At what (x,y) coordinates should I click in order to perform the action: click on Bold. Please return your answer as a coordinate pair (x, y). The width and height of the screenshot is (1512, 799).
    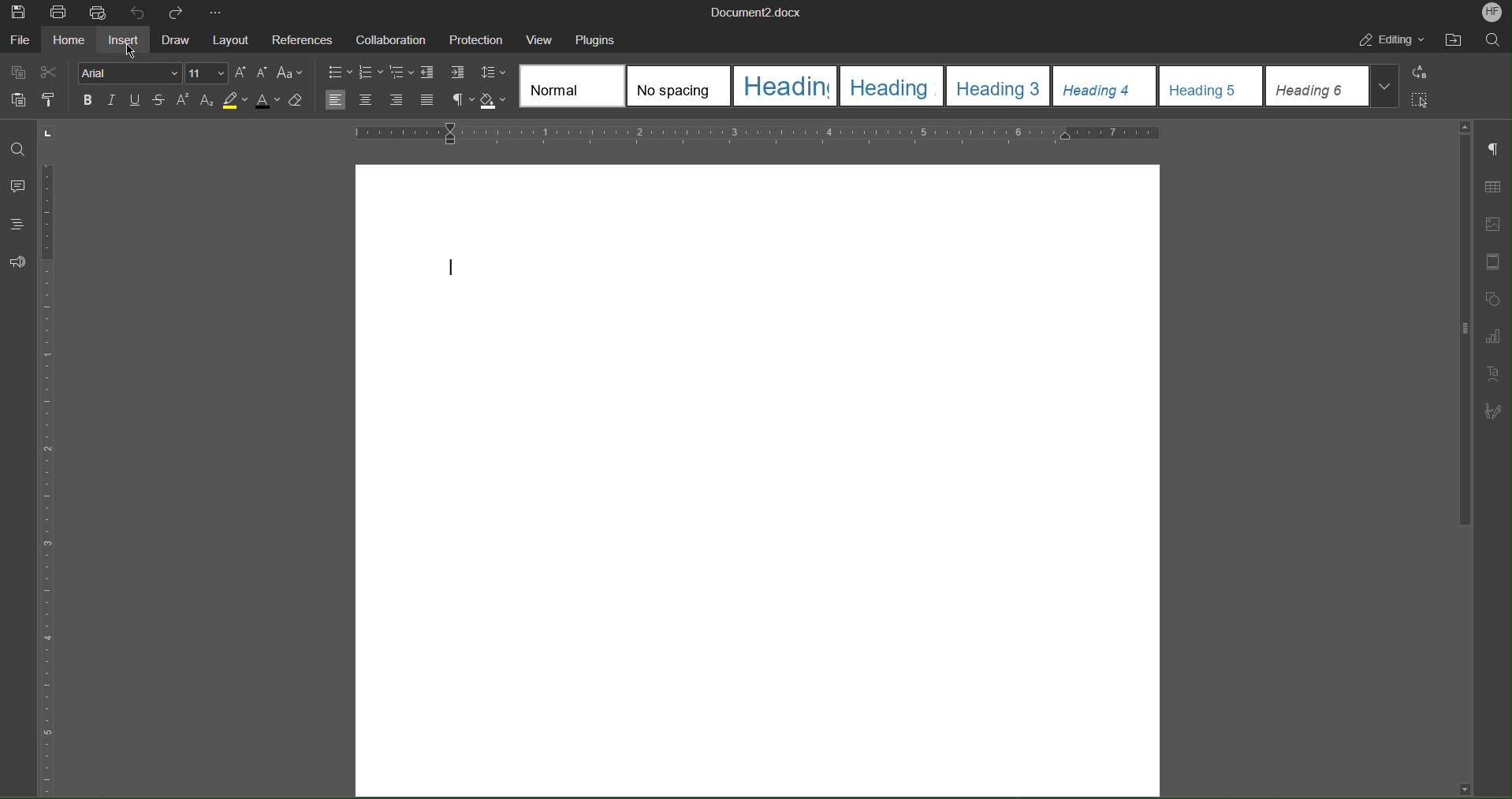
    Looking at the image, I should click on (89, 100).